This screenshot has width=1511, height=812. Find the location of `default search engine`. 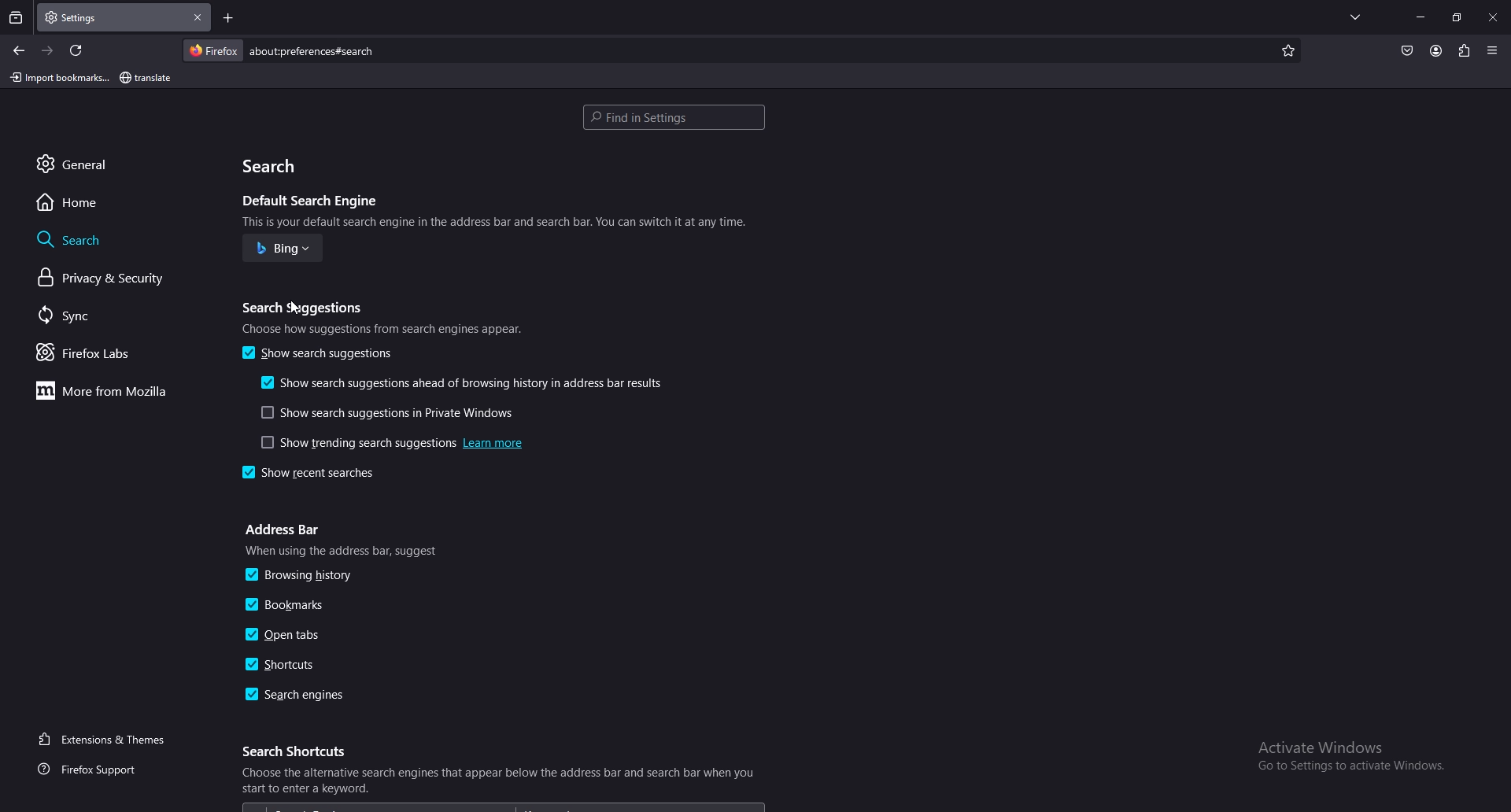

default search engine is located at coordinates (314, 202).